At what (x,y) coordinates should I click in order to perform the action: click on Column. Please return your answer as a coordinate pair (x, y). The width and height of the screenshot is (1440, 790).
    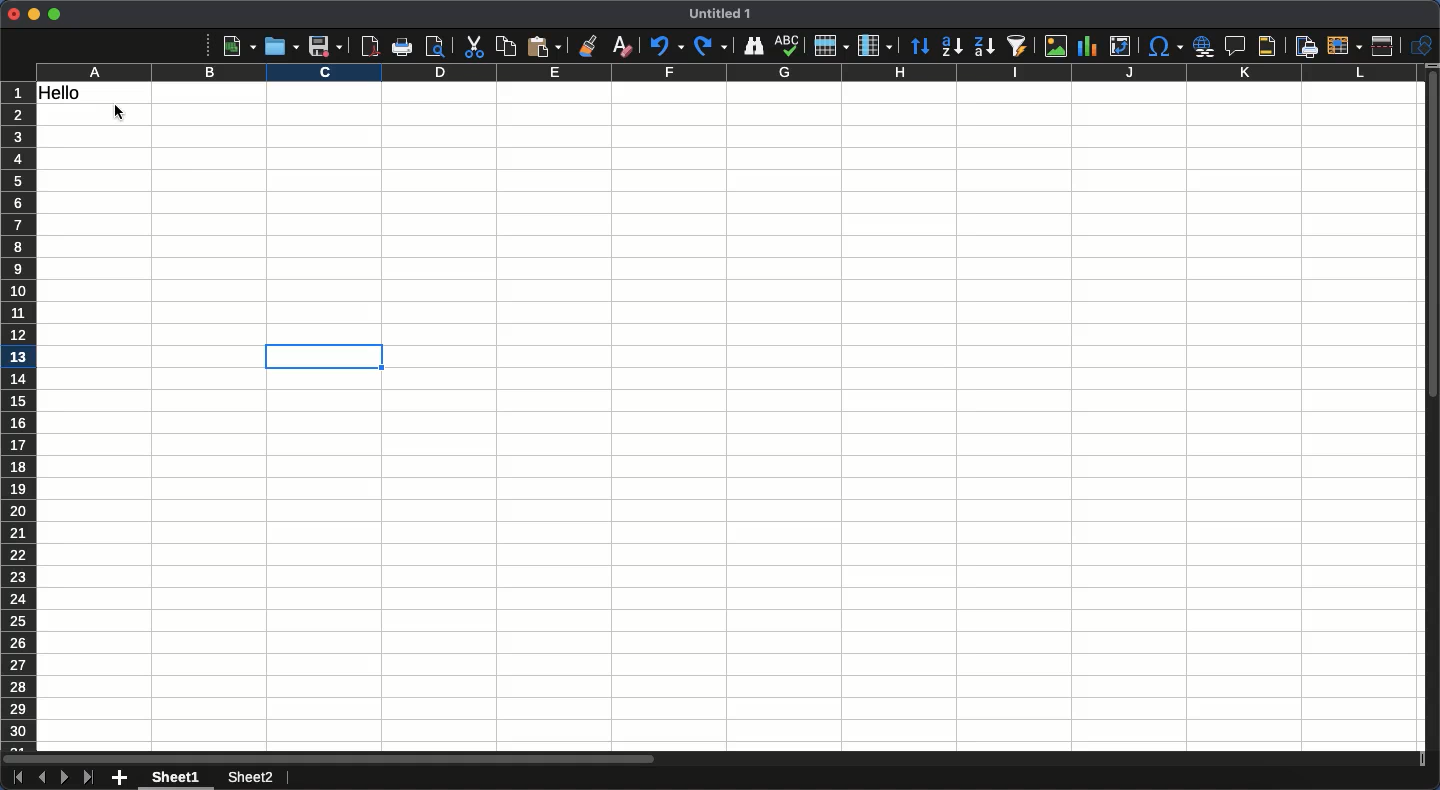
    Looking at the image, I should click on (877, 46).